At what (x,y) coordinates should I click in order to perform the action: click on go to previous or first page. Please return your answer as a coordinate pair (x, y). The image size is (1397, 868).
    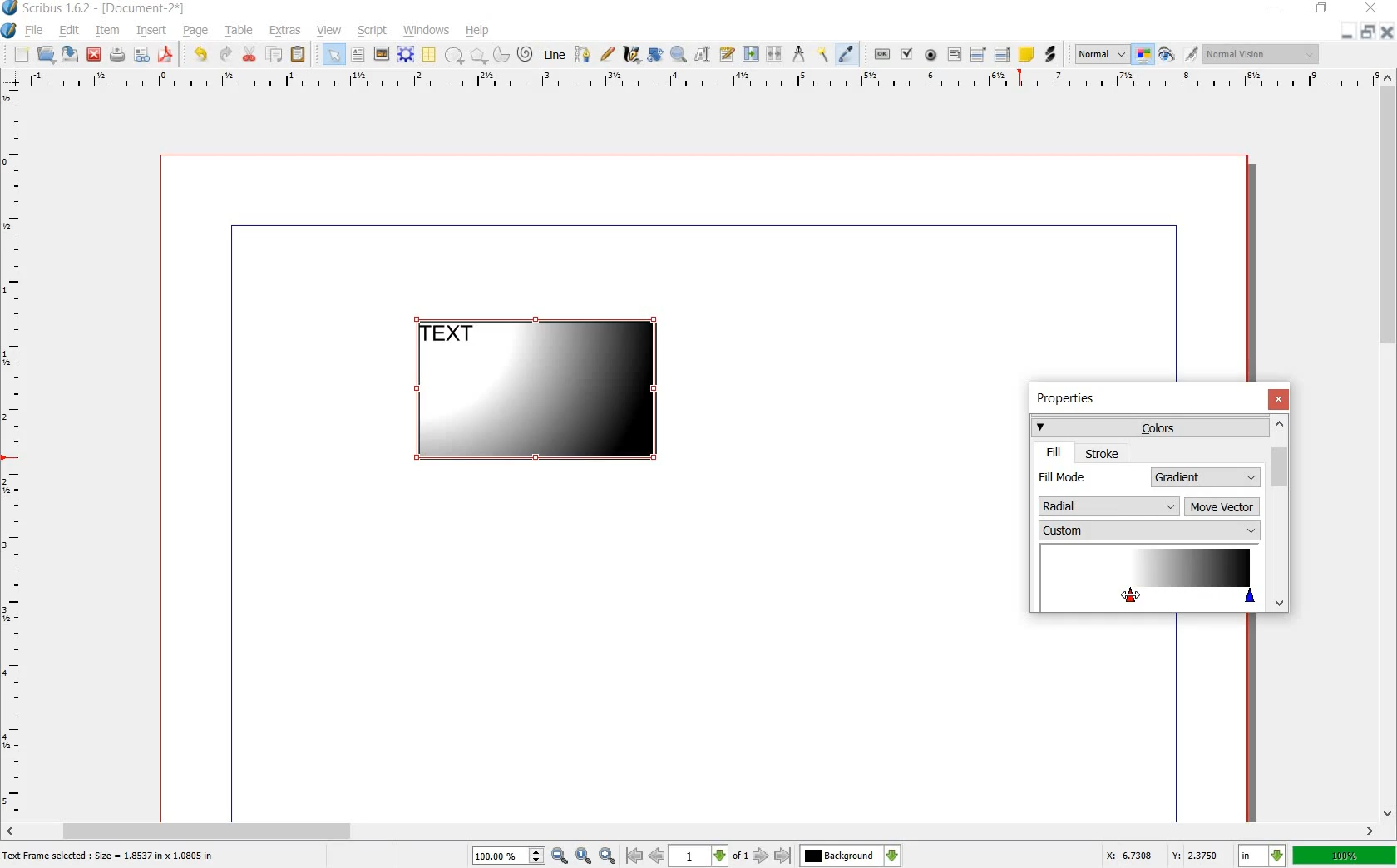
    Looking at the image, I should click on (644, 856).